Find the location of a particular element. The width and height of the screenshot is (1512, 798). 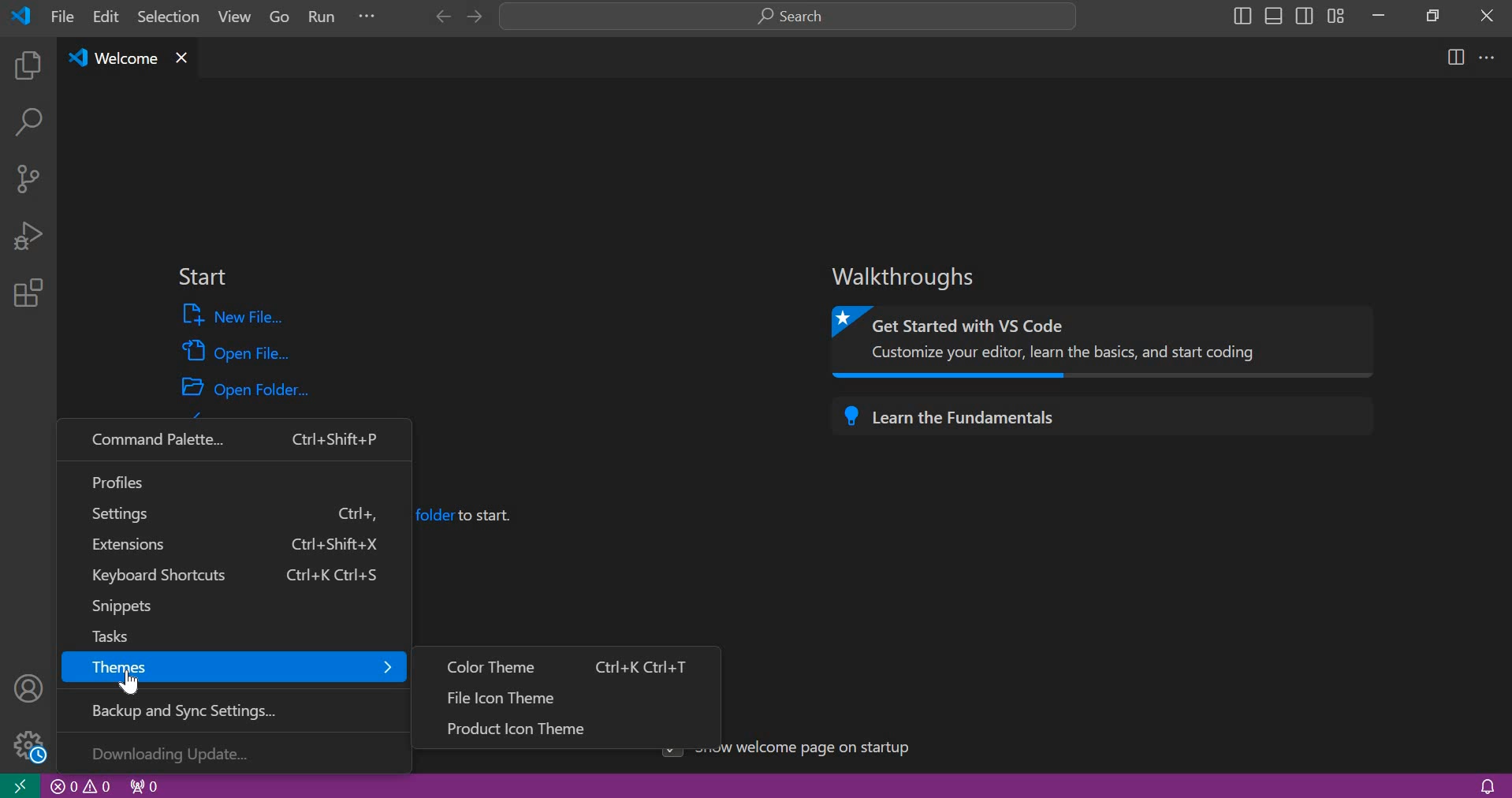

extensions is located at coordinates (230, 546).